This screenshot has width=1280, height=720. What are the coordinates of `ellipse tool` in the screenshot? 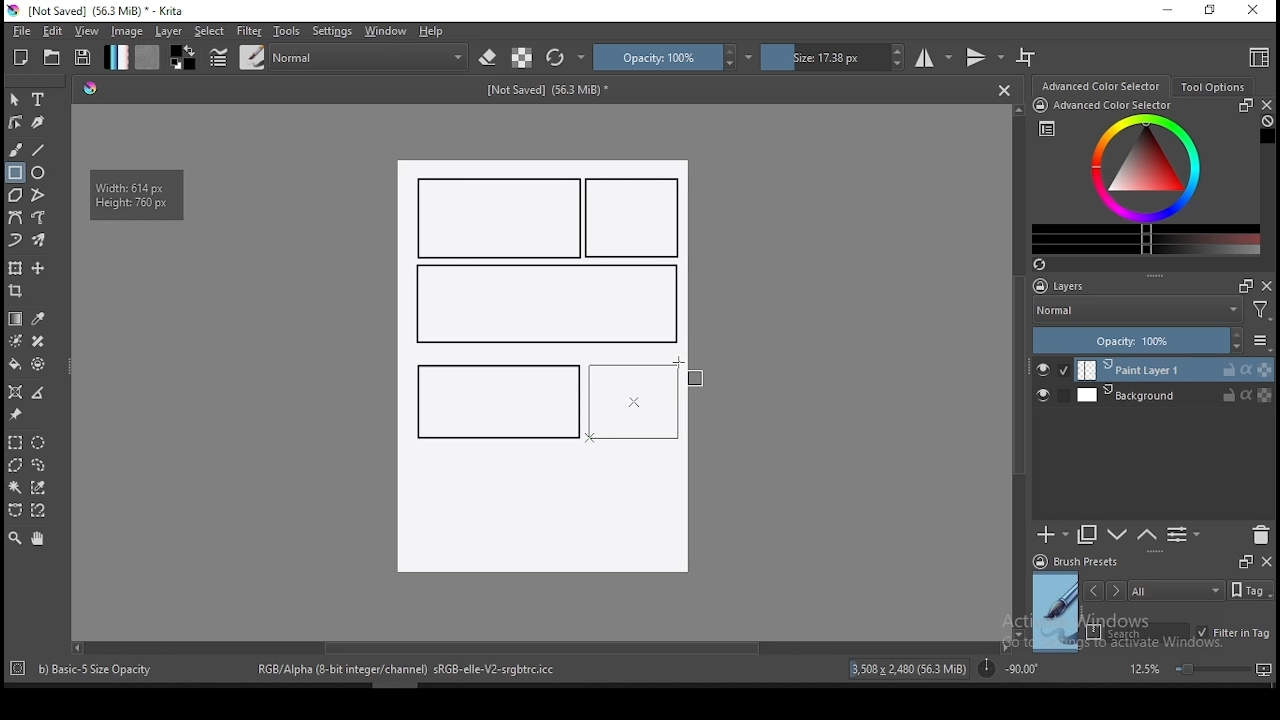 It's located at (39, 171).